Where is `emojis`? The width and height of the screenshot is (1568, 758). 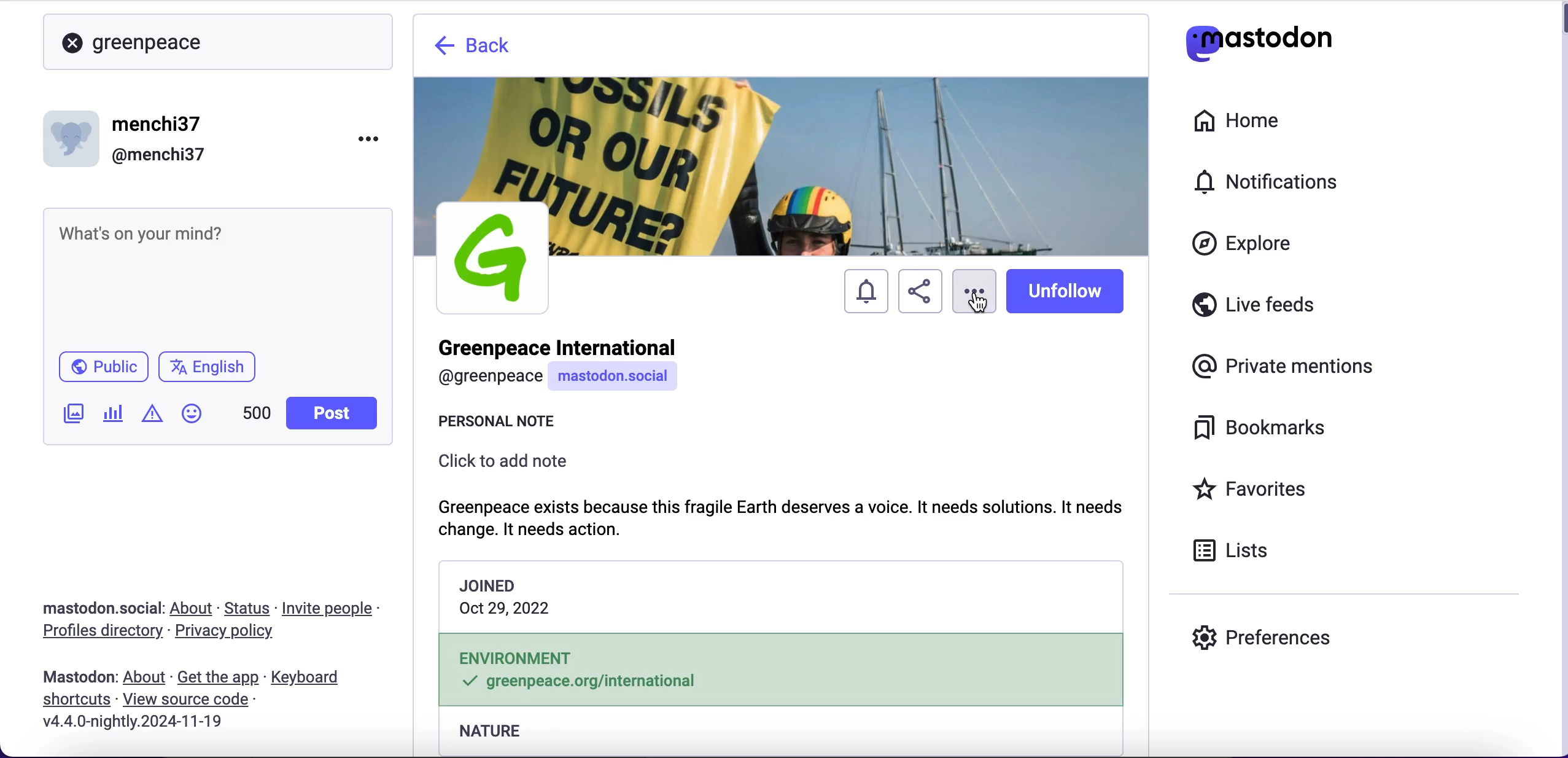 emojis is located at coordinates (197, 420).